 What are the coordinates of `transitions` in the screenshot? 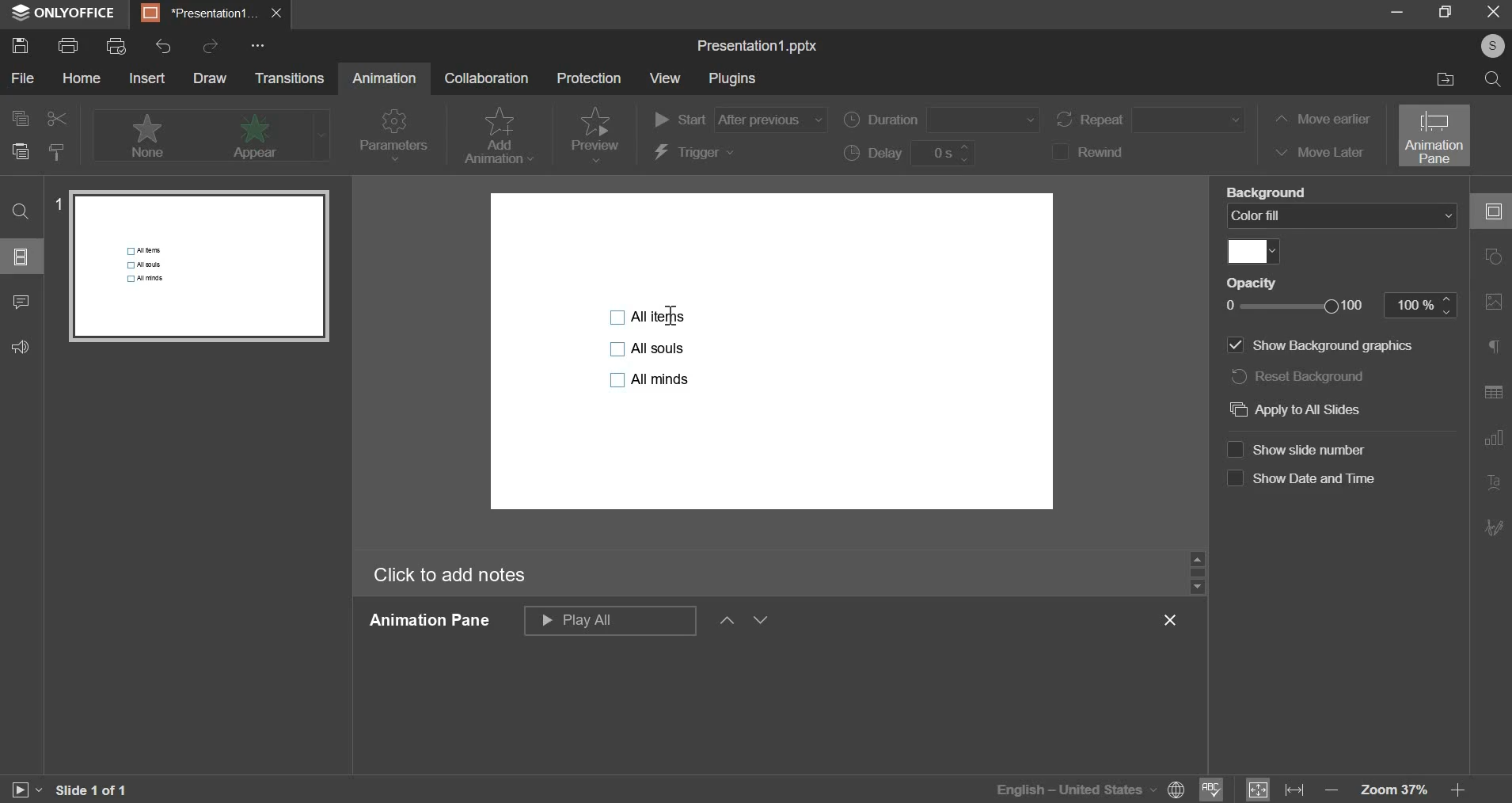 It's located at (289, 78).